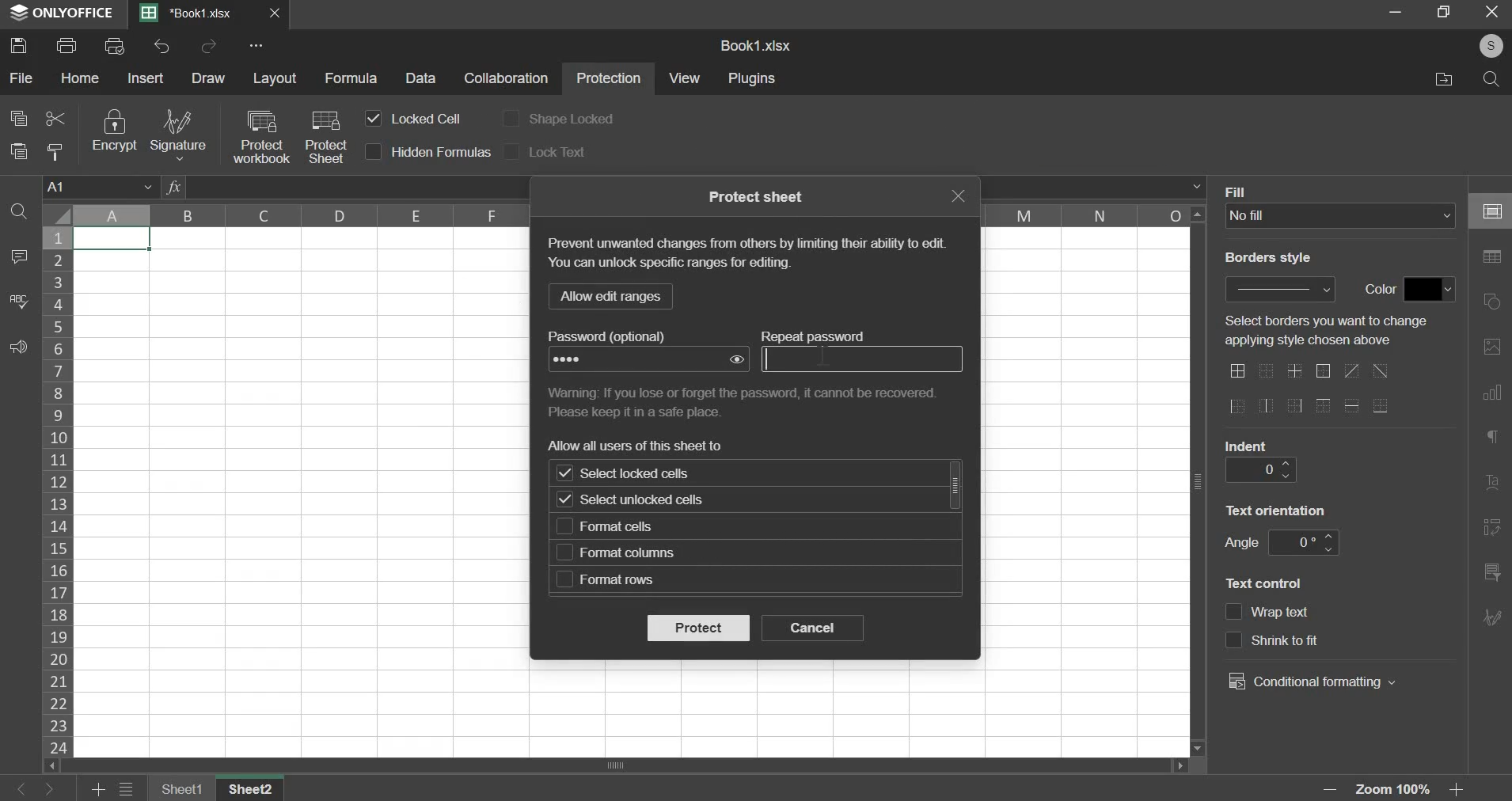 Image resolution: width=1512 pixels, height=801 pixels. I want to click on save, so click(19, 44).